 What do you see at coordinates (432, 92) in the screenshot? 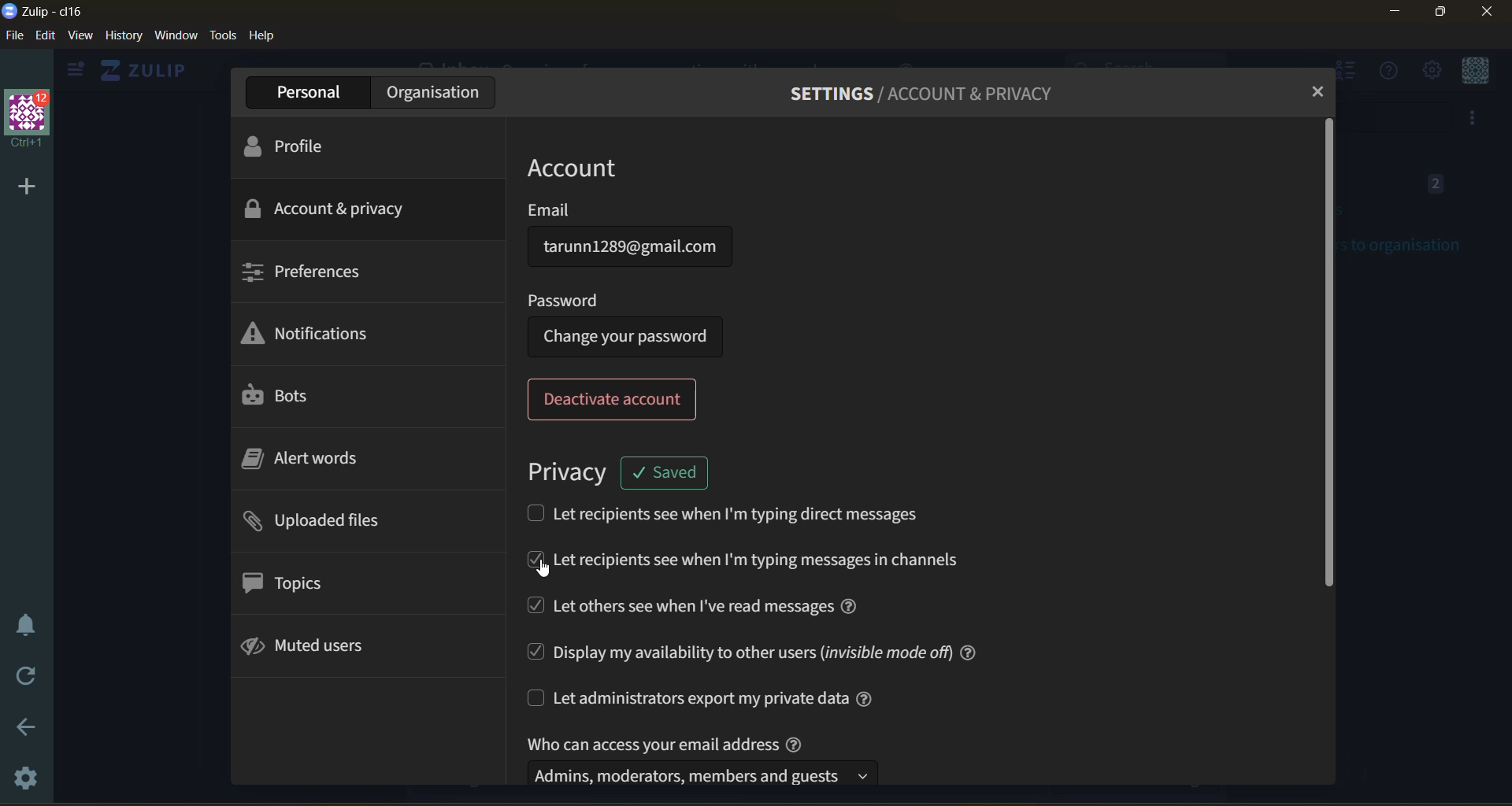
I see `organisation` at bounding box center [432, 92].